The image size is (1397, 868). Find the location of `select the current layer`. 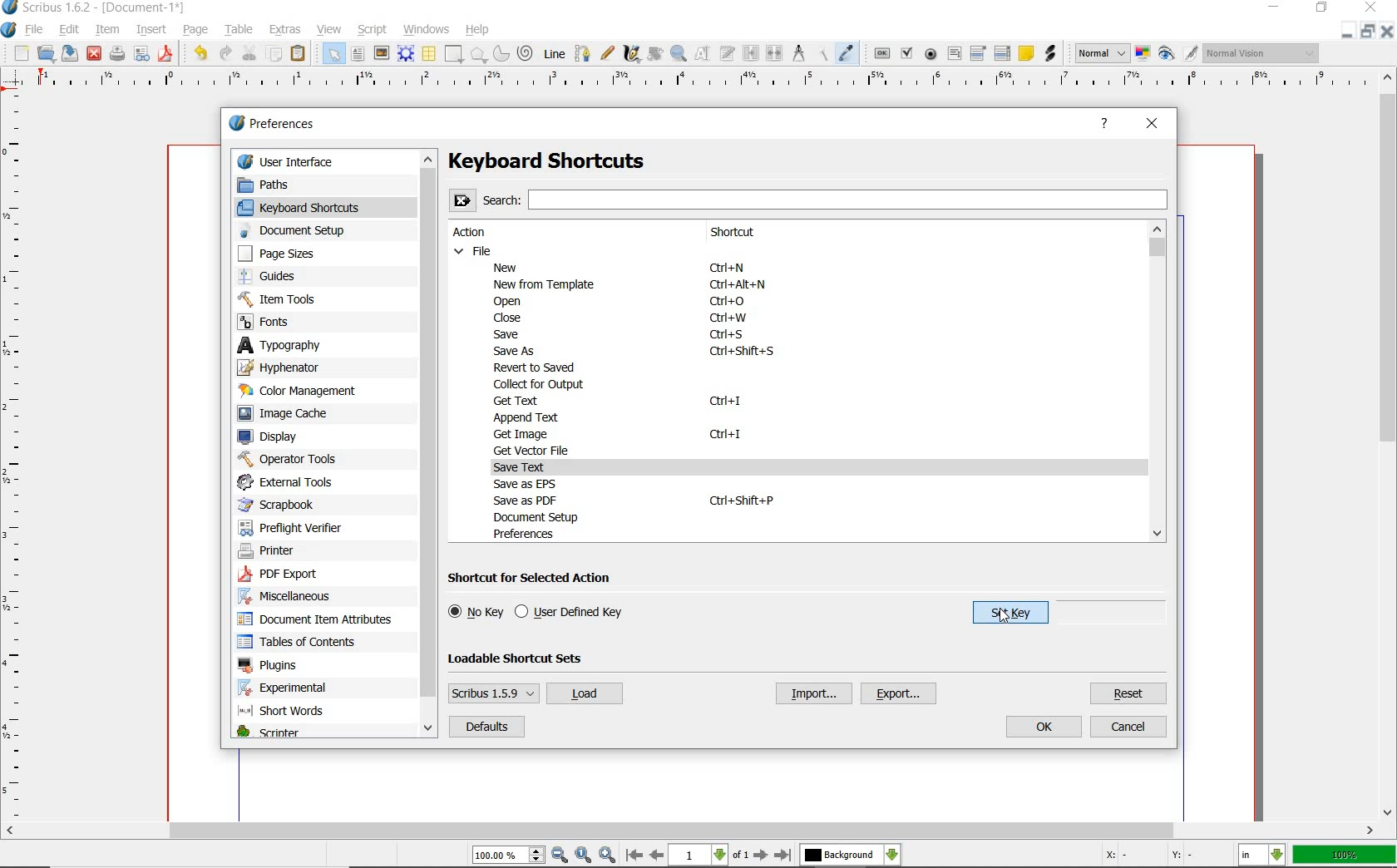

select the current layer is located at coordinates (850, 856).